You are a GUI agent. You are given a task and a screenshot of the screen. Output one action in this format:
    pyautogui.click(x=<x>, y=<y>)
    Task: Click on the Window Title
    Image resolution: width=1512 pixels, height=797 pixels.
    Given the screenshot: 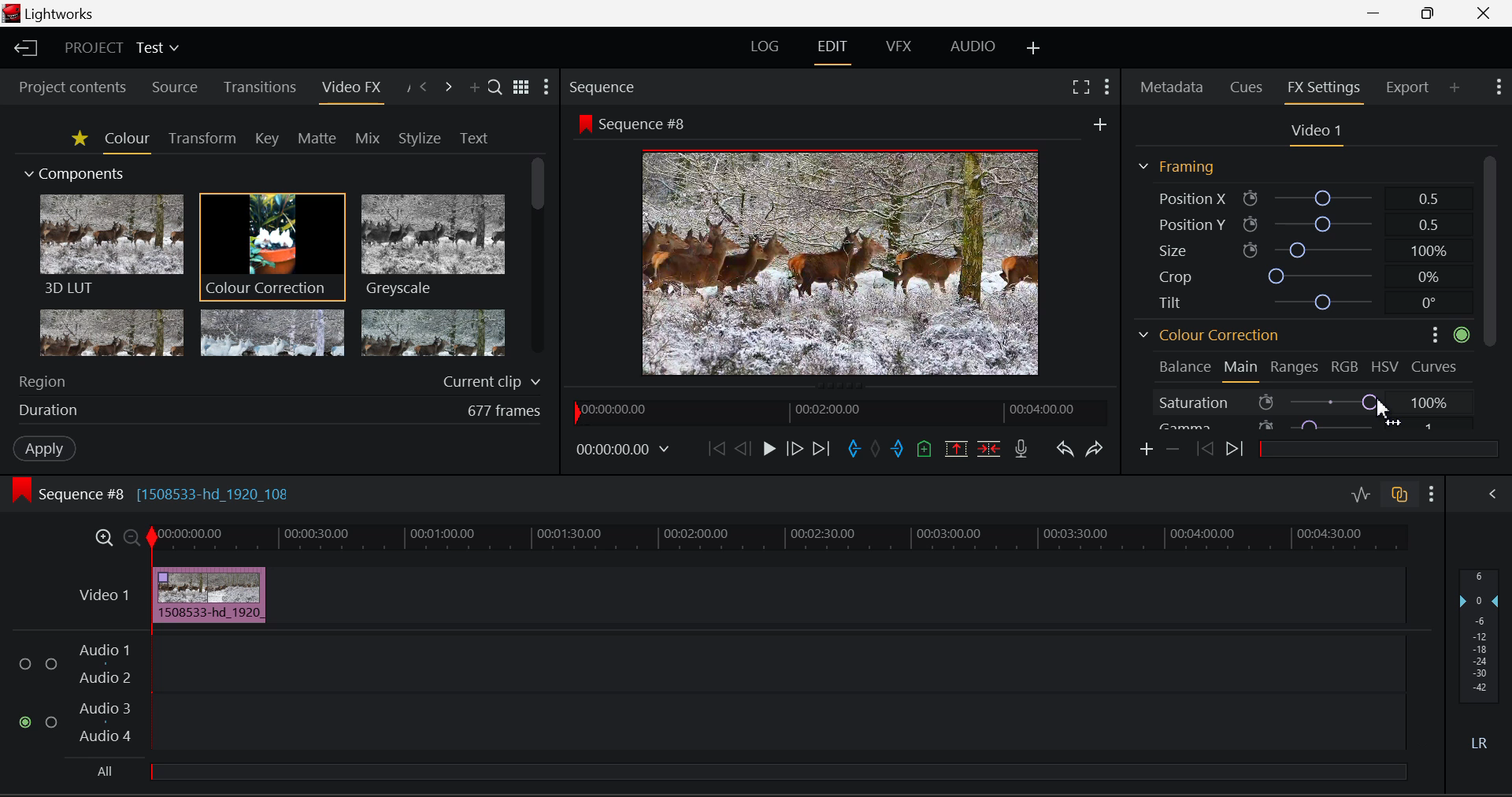 What is the action you would take?
    pyautogui.click(x=54, y=13)
    